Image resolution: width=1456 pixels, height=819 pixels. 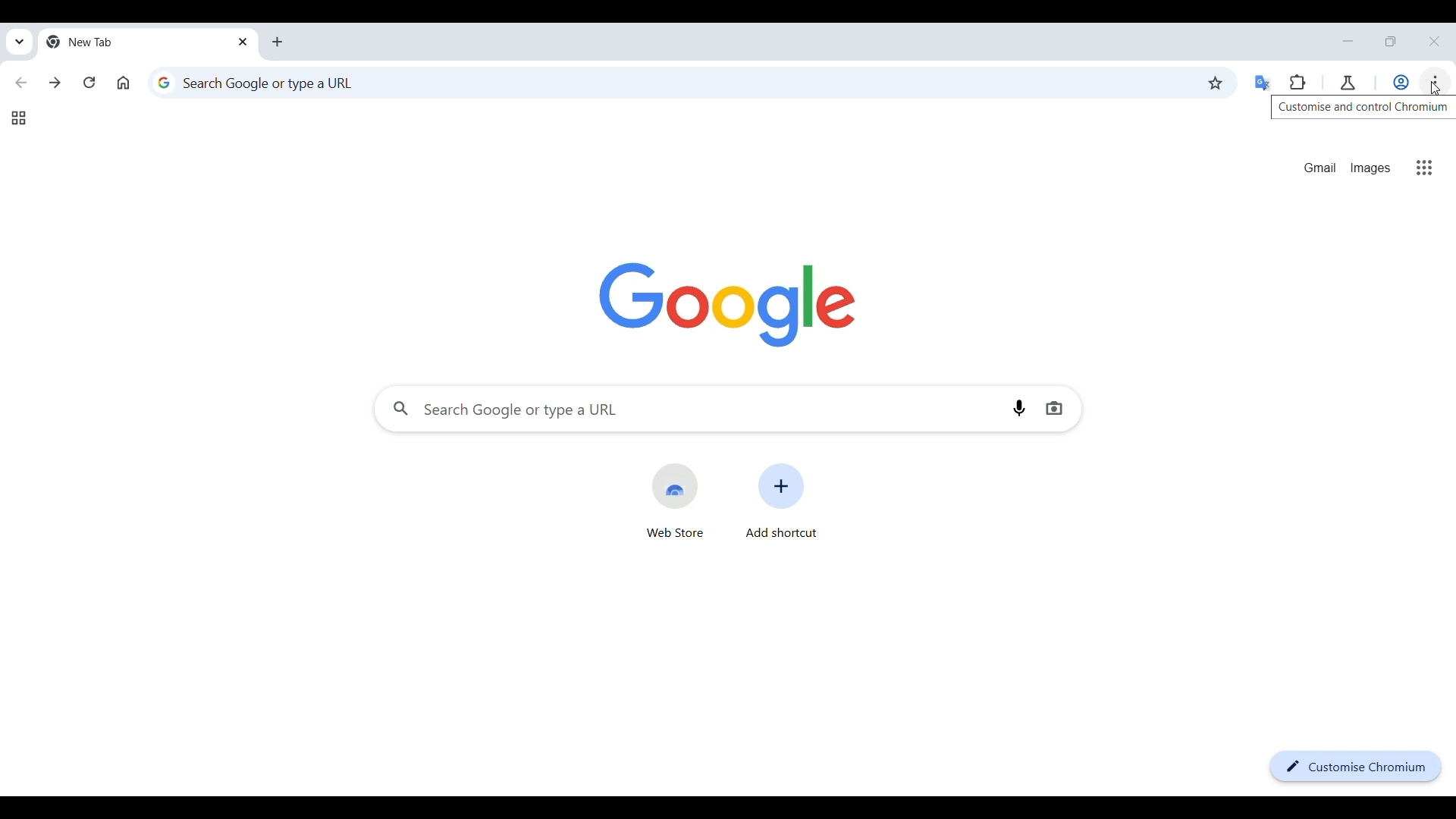 I want to click on Go forward, so click(x=55, y=82).